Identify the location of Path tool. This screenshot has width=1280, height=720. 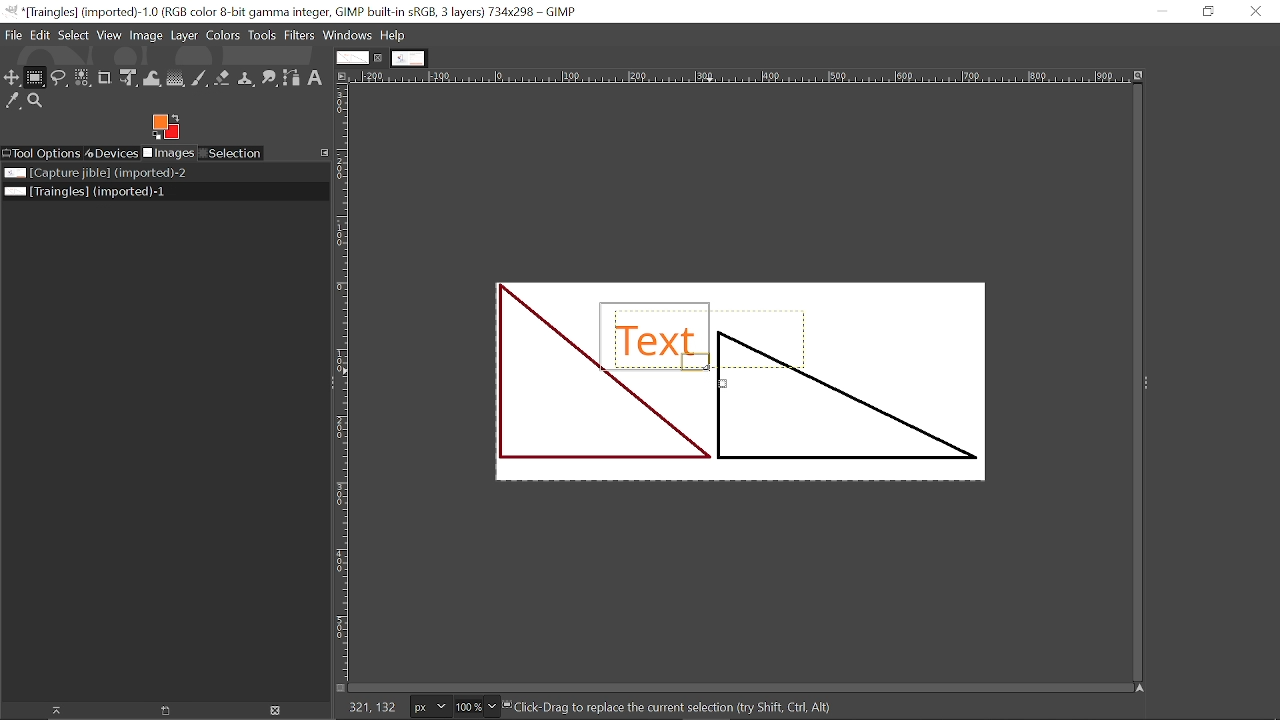
(292, 79).